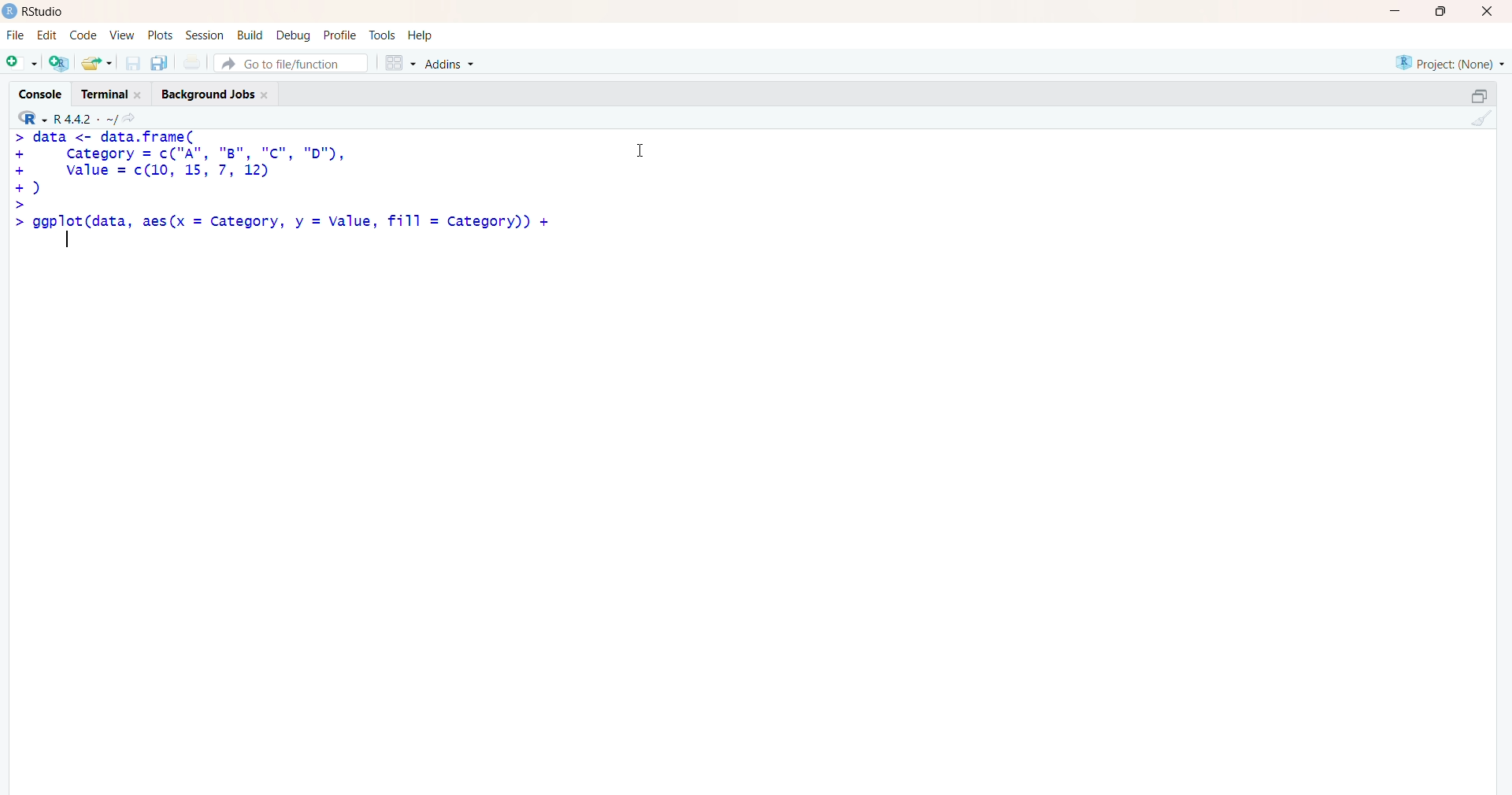 The height and width of the screenshot is (795, 1512). Describe the element at coordinates (453, 65) in the screenshot. I see `Addins` at that location.